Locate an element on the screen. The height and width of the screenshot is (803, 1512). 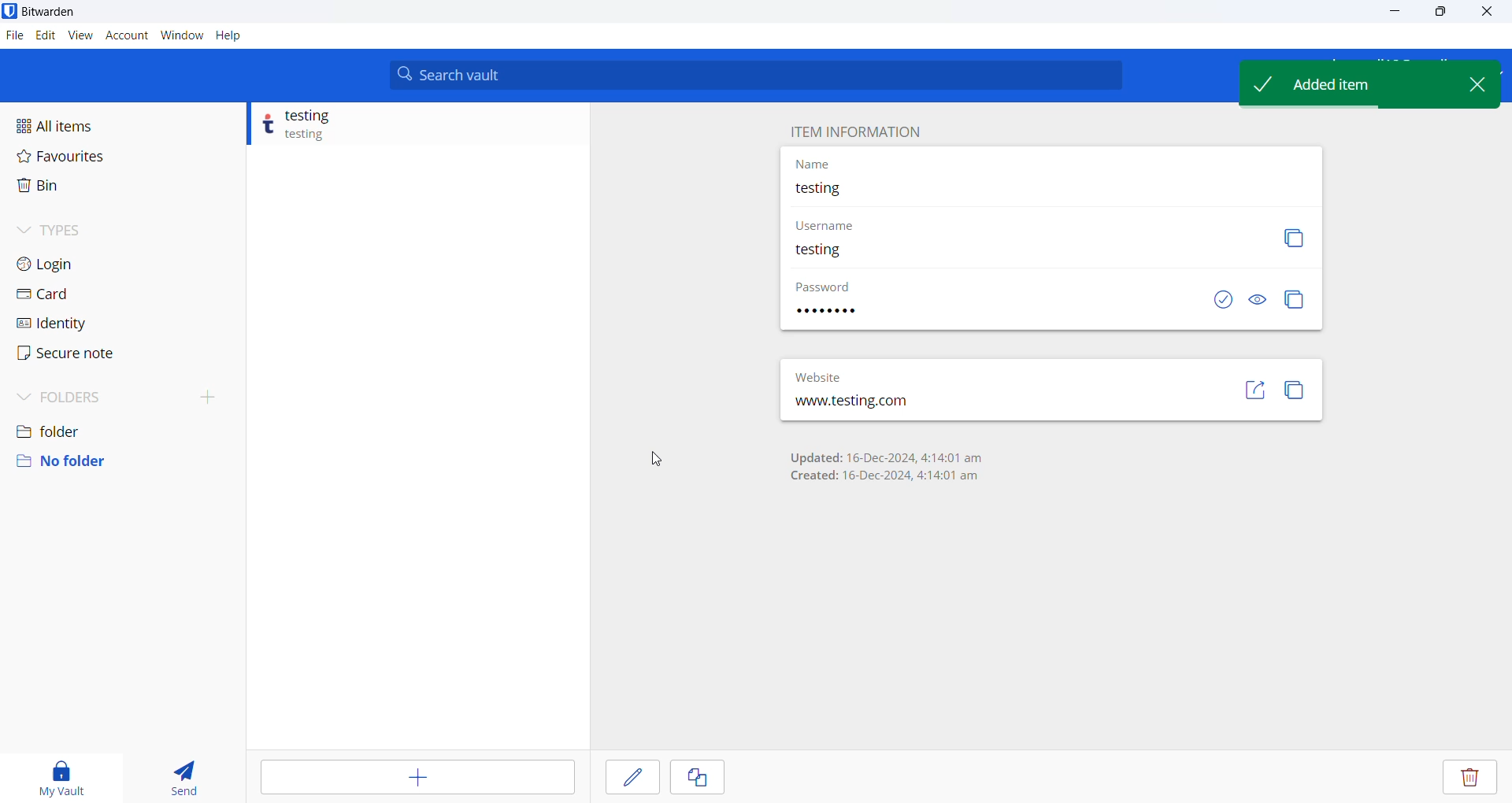
account is located at coordinates (125, 36).